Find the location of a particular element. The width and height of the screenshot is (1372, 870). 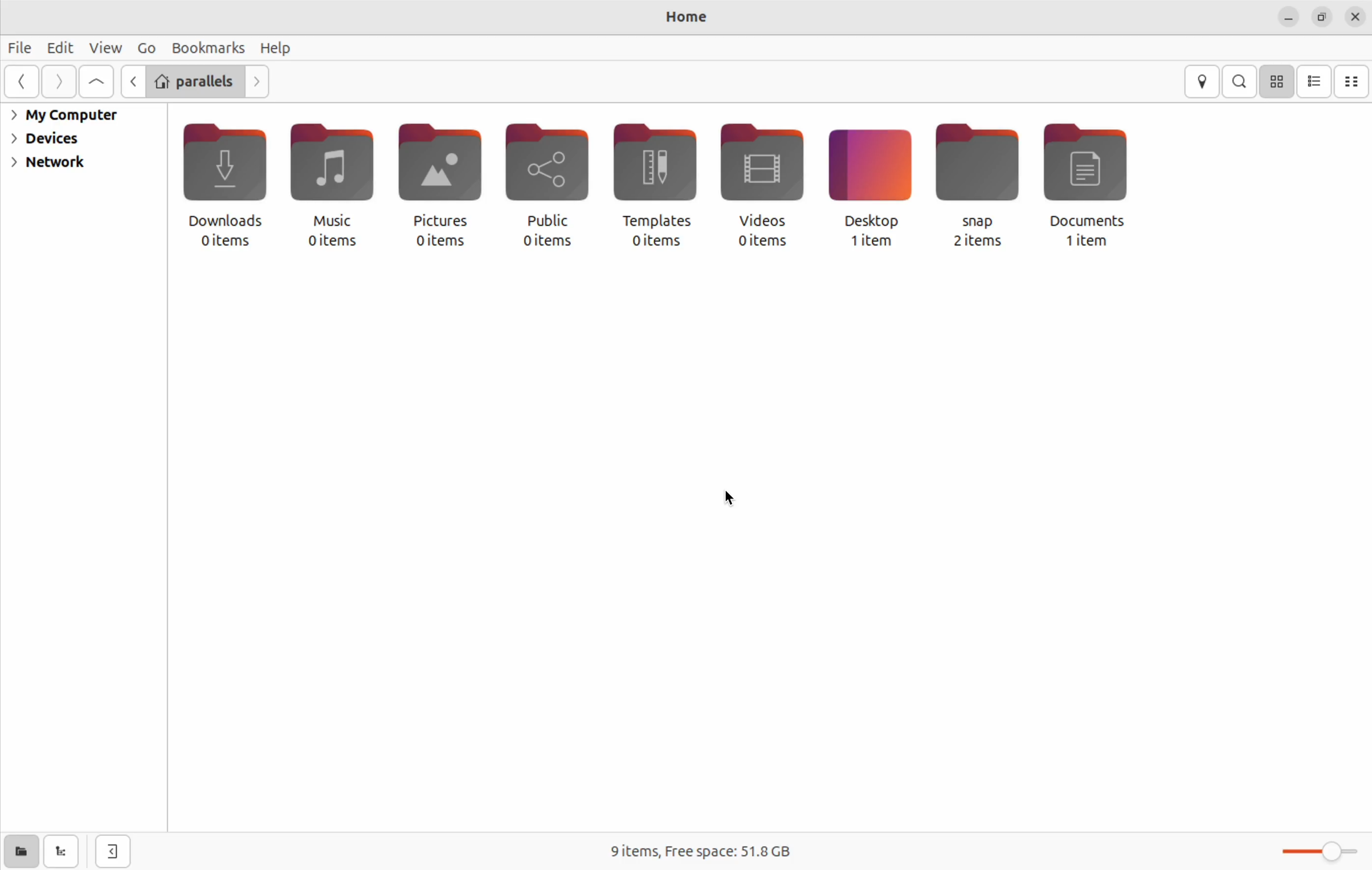

music 0 items is located at coordinates (329, 186).